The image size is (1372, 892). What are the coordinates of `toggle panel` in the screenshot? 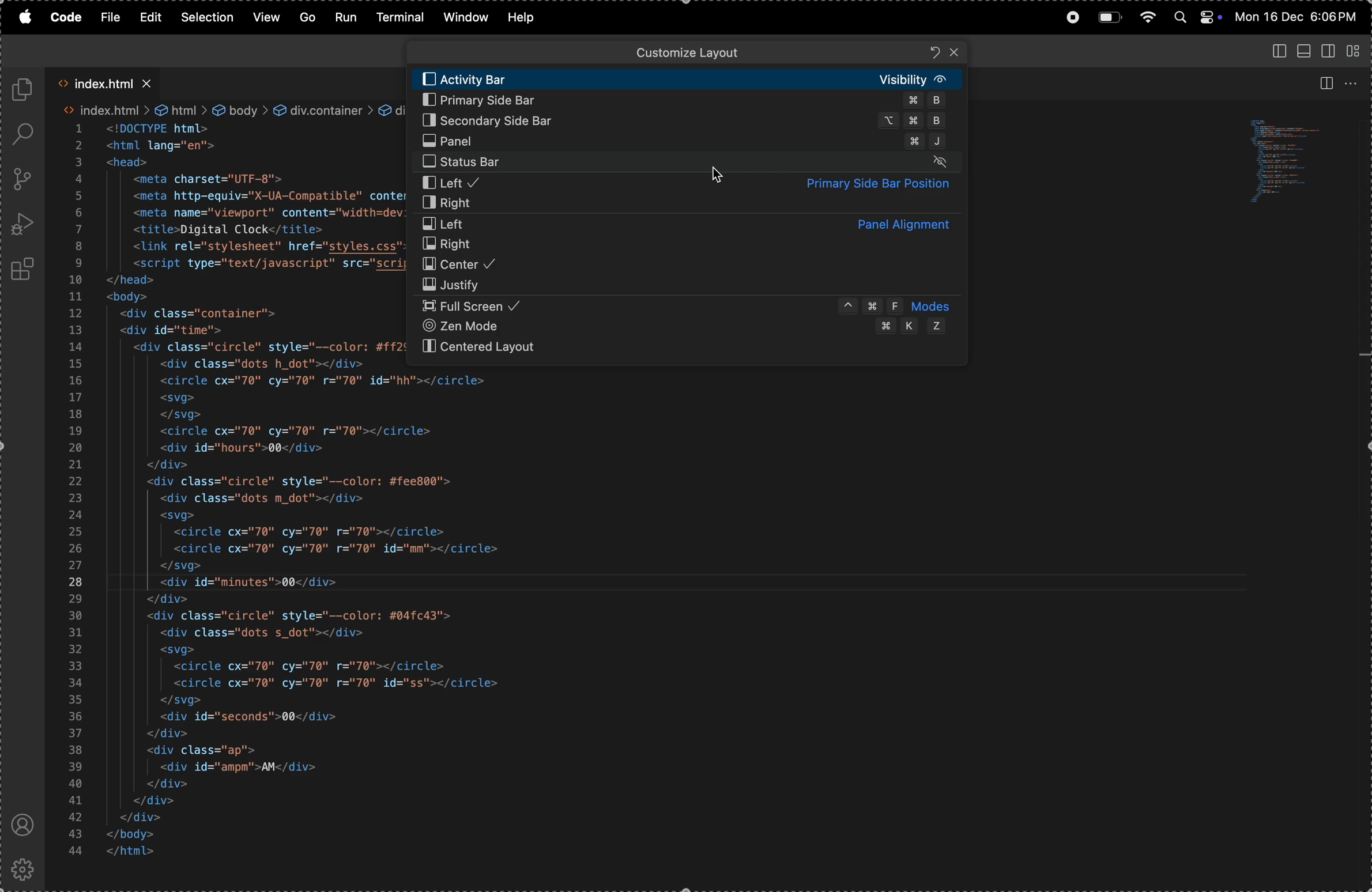 It's located at (1303, 51).